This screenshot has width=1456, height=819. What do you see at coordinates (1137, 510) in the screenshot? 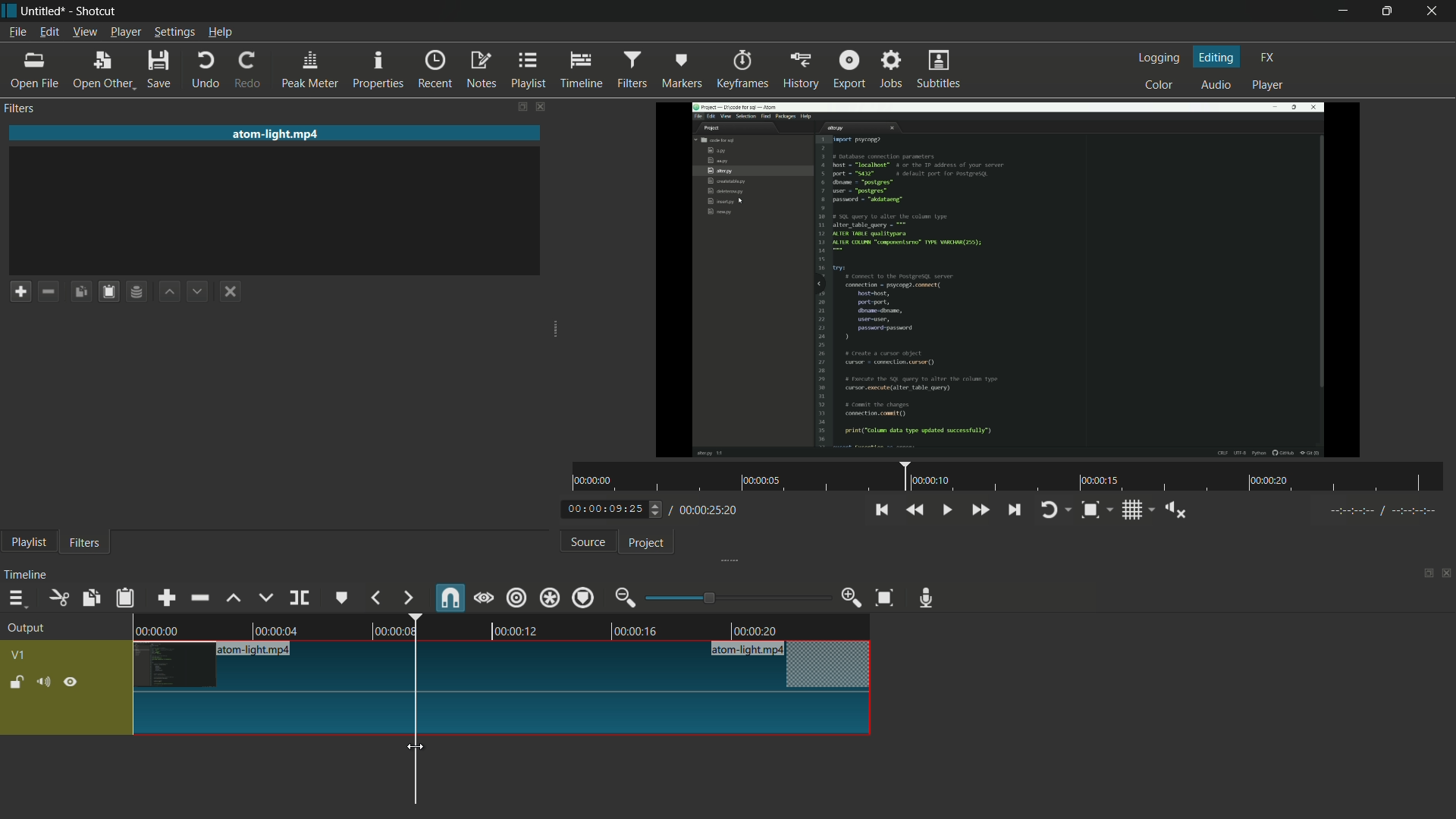
I see `toggle grid` at bounding box center [1137, 510].